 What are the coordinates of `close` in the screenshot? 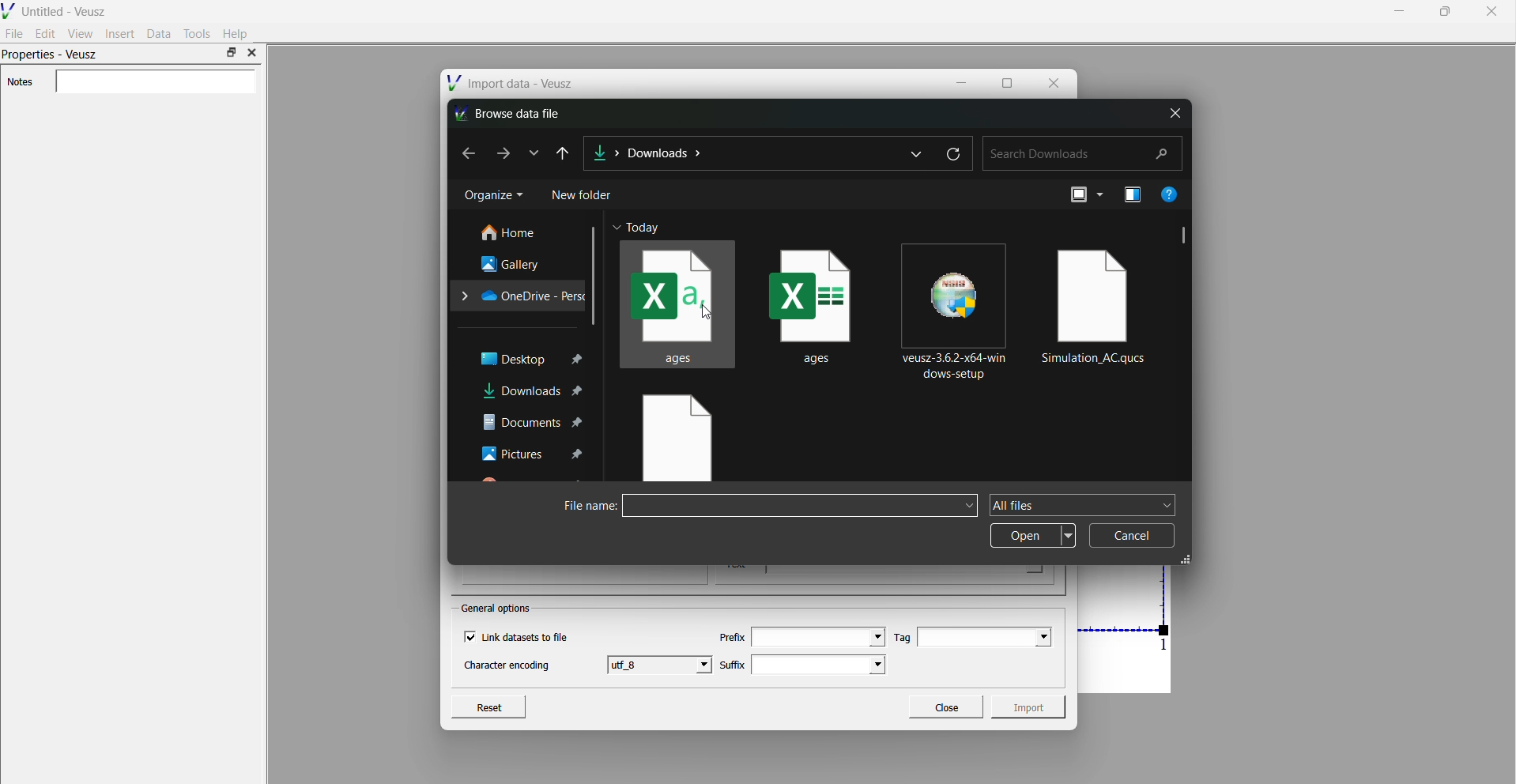 It's located at (1491, 13).